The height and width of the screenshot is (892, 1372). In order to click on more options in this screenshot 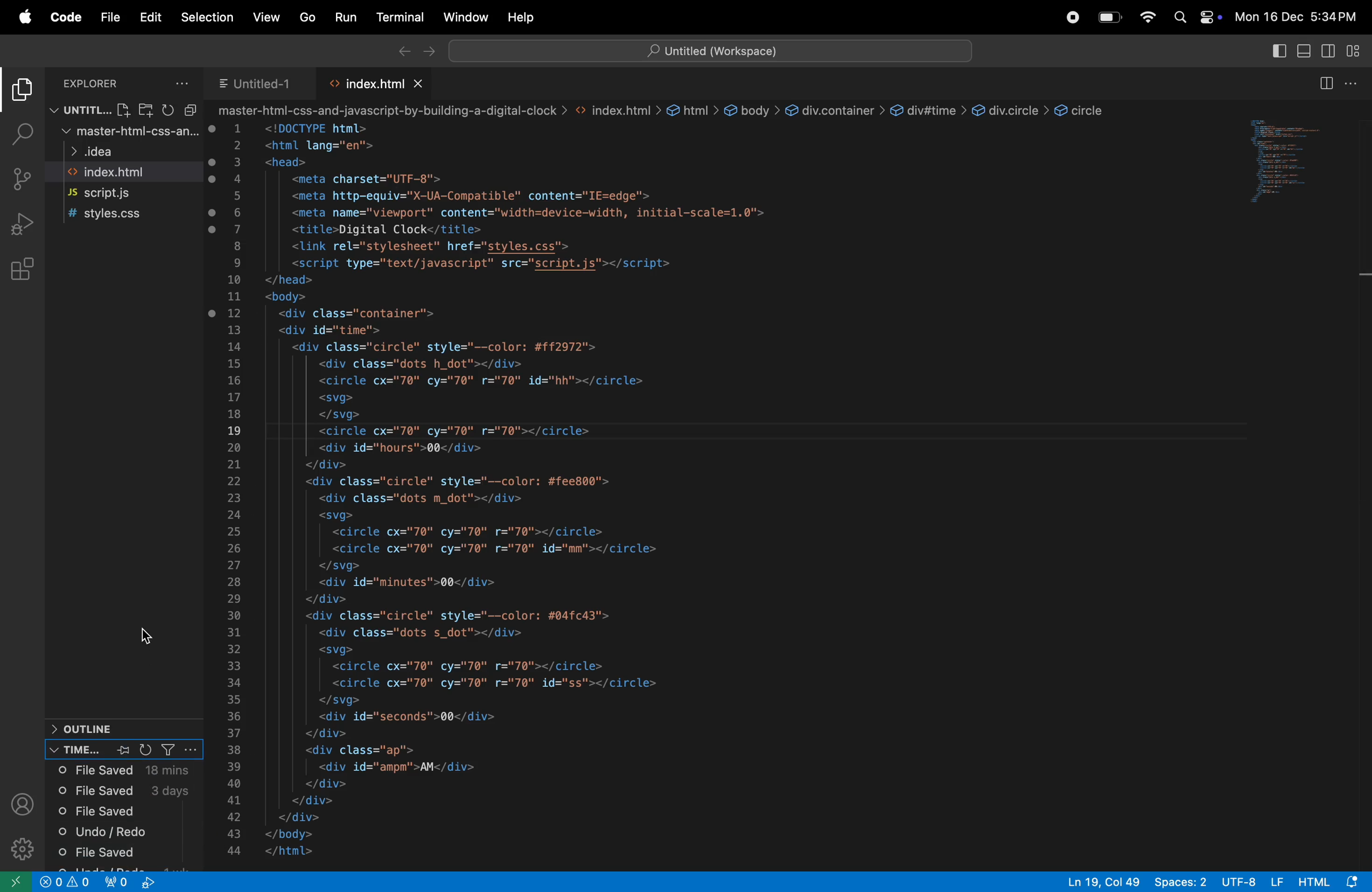, I will do `click(193, 751)`.